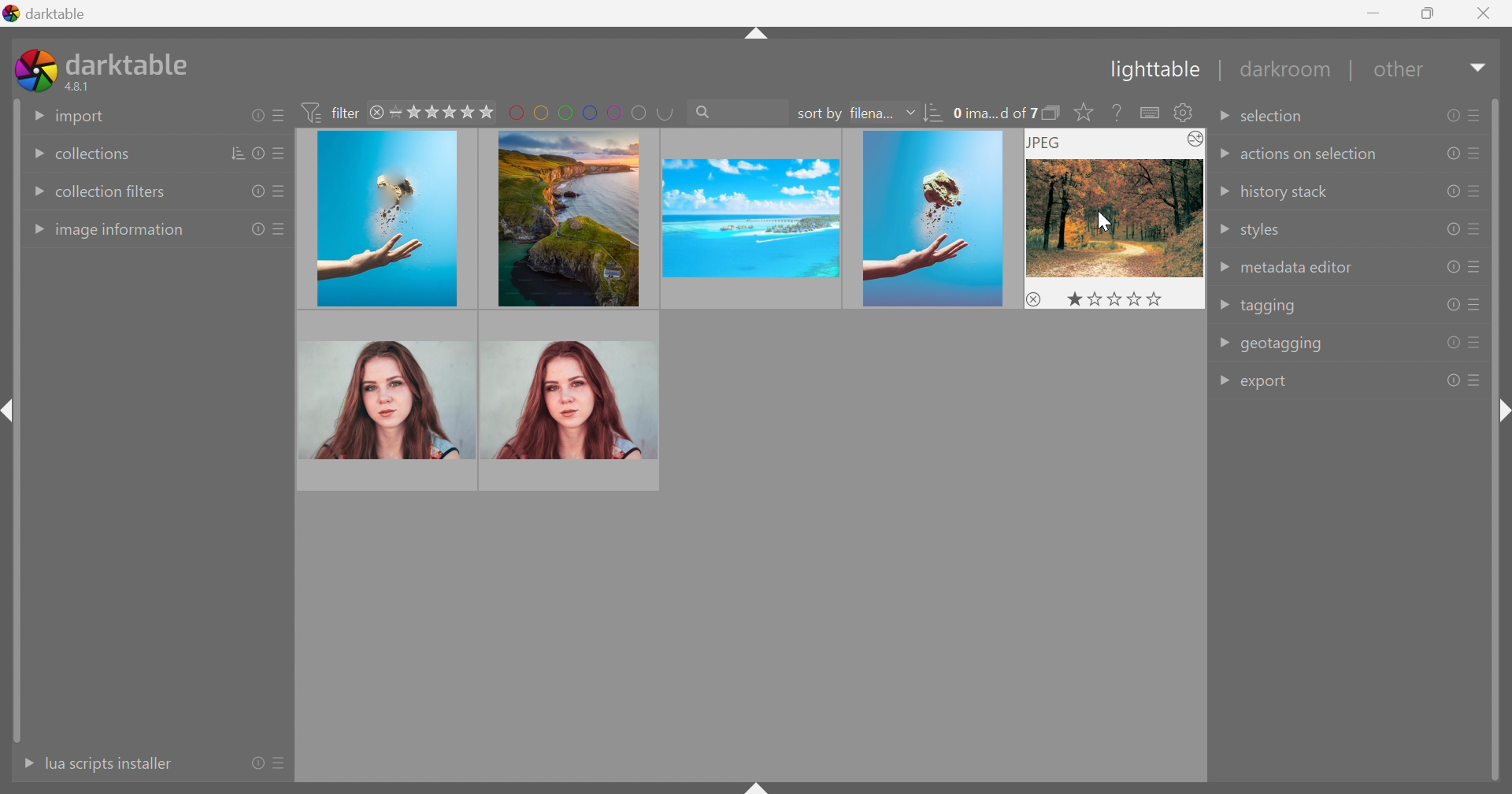 The width and height of the screenshot is (1512, 794). I want to click on presets, so click(280, 155).